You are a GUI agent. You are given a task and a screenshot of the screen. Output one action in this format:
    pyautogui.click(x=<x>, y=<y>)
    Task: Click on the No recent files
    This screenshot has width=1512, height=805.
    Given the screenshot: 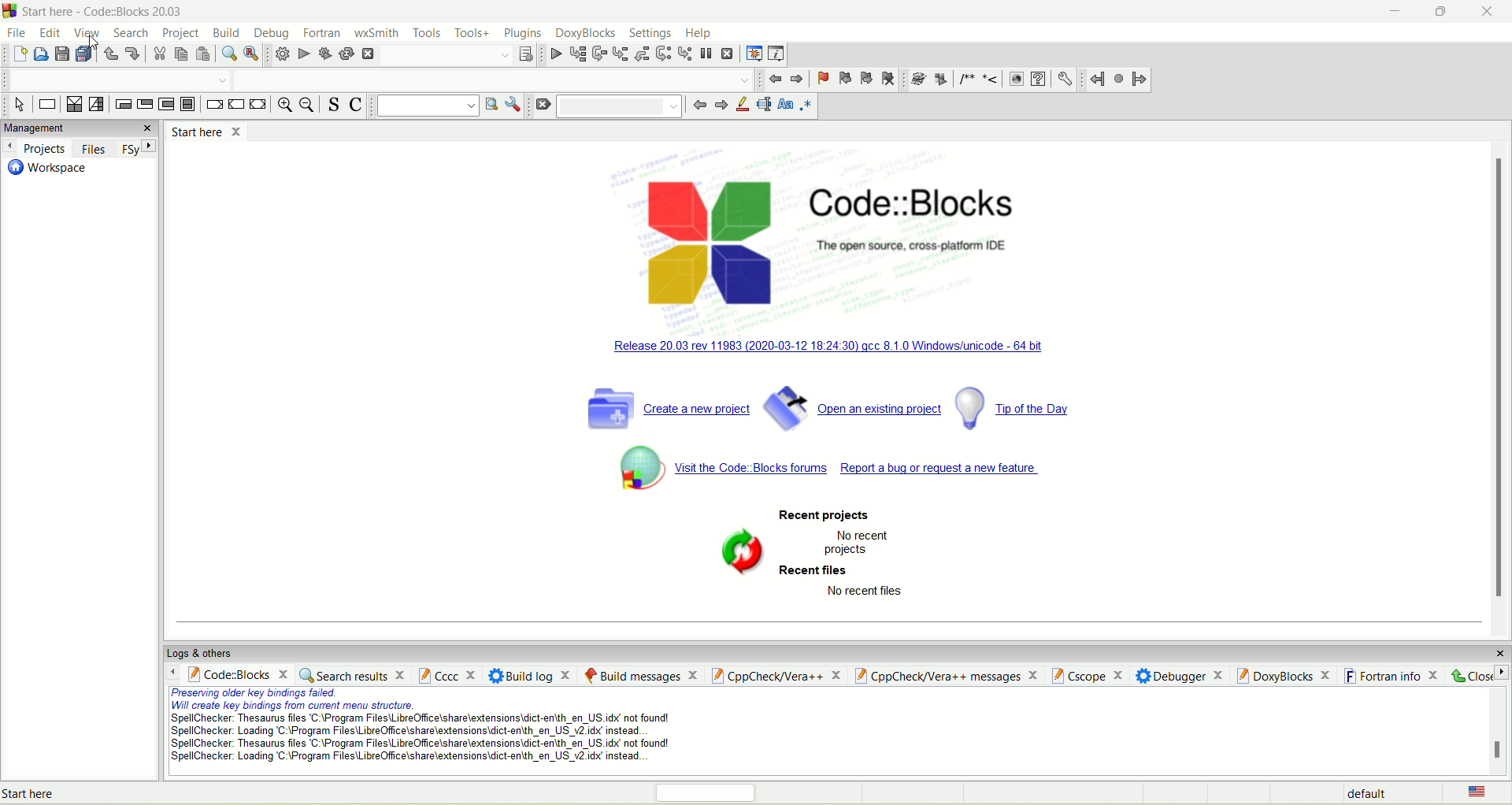 What is the action you would take?
    pyautogui.click(x=873, y=592)
    